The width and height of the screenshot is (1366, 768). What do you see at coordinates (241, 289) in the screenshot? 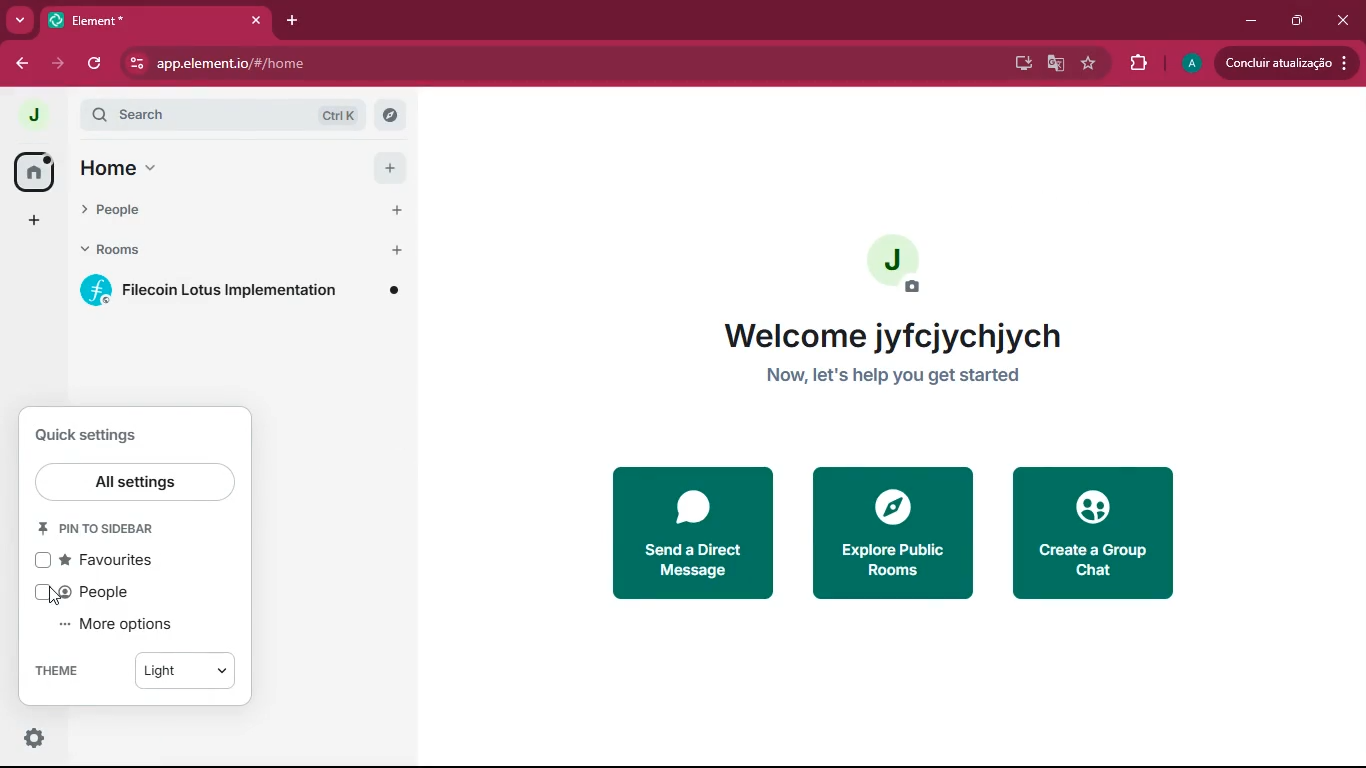
I see `room` at bounding box center [241, 289].